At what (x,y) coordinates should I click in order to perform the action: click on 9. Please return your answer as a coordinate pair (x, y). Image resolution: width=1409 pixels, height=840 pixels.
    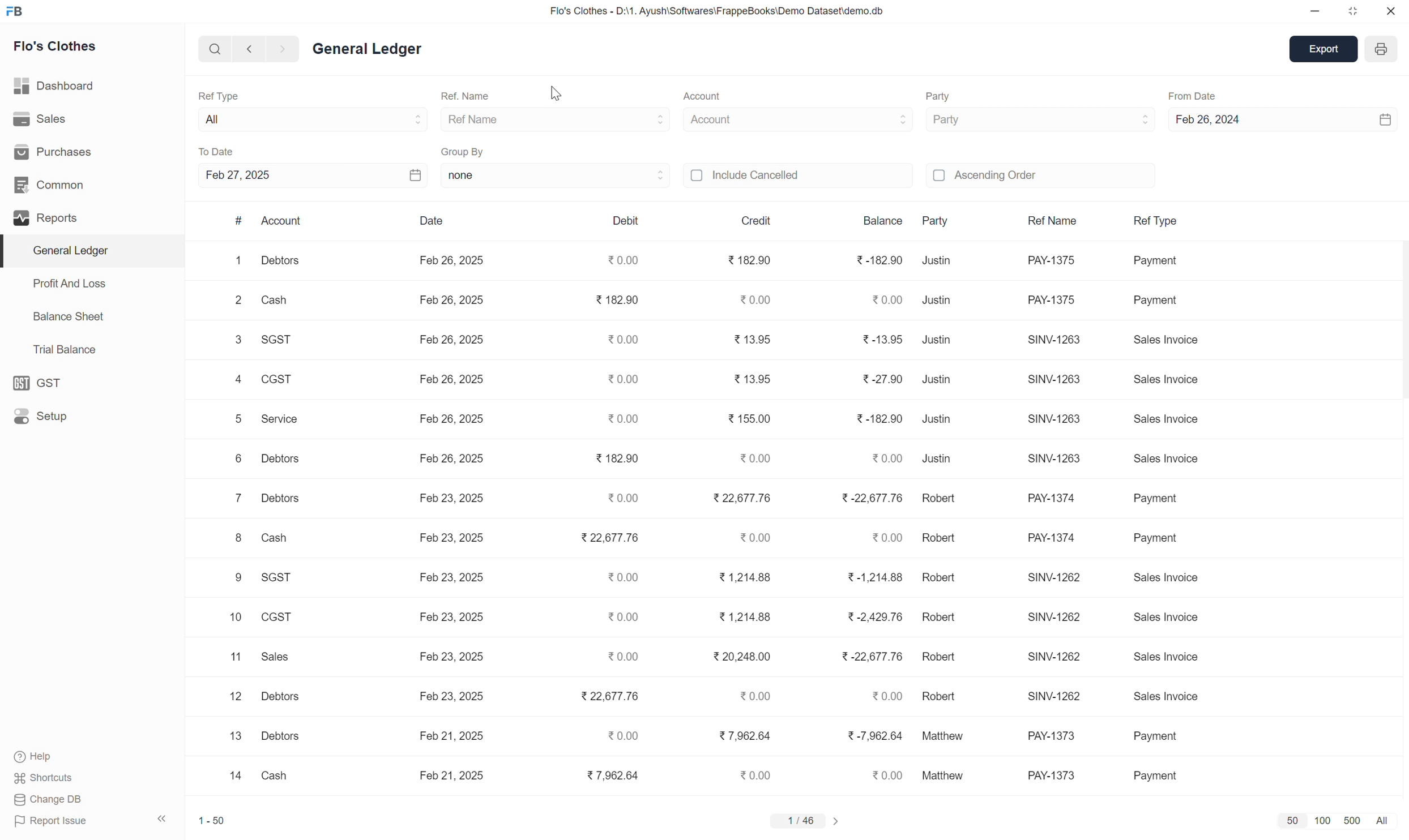
    Looking at the image, I should click on (238, 576).